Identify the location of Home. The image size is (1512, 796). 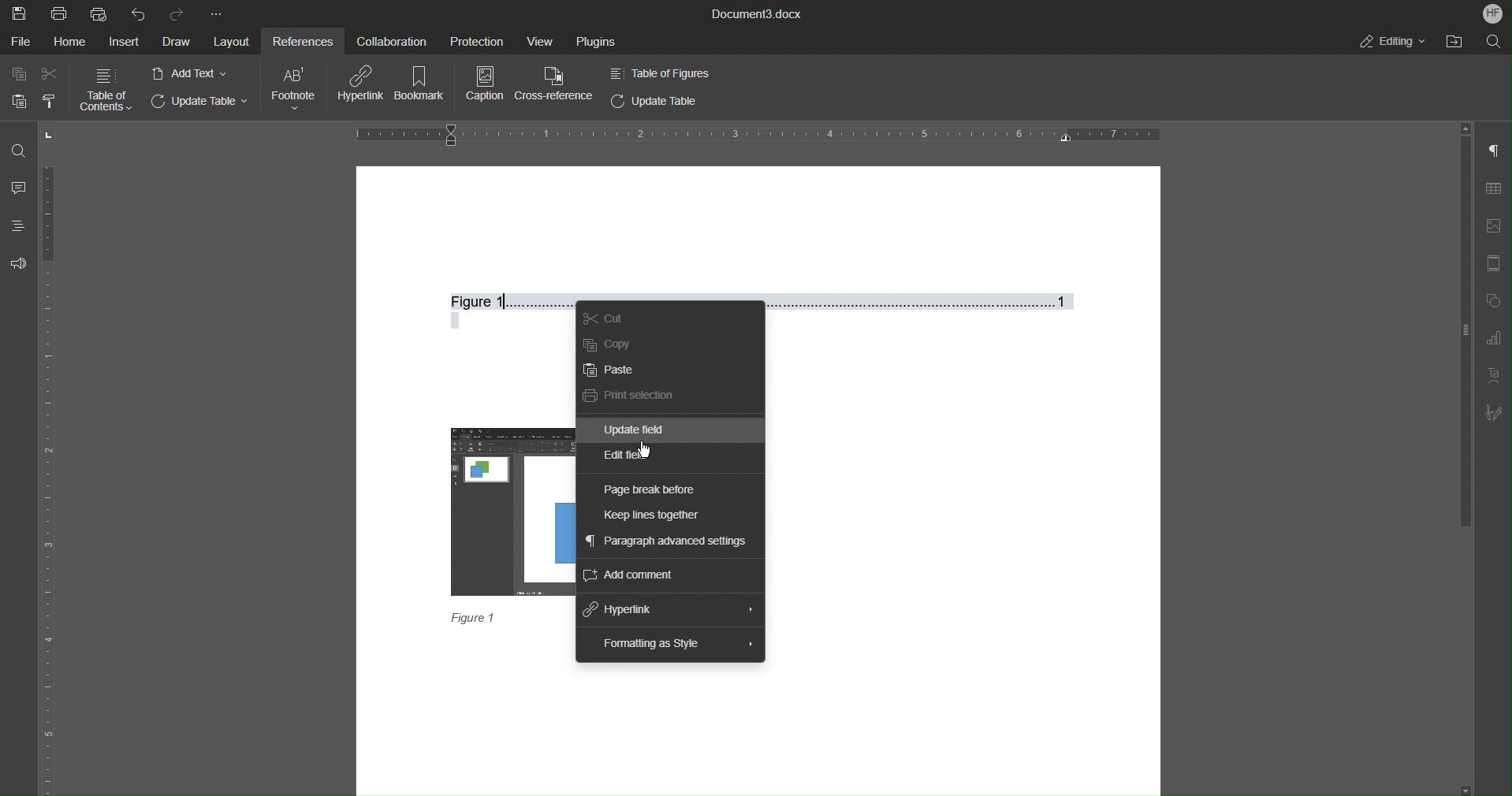
(73, 42).